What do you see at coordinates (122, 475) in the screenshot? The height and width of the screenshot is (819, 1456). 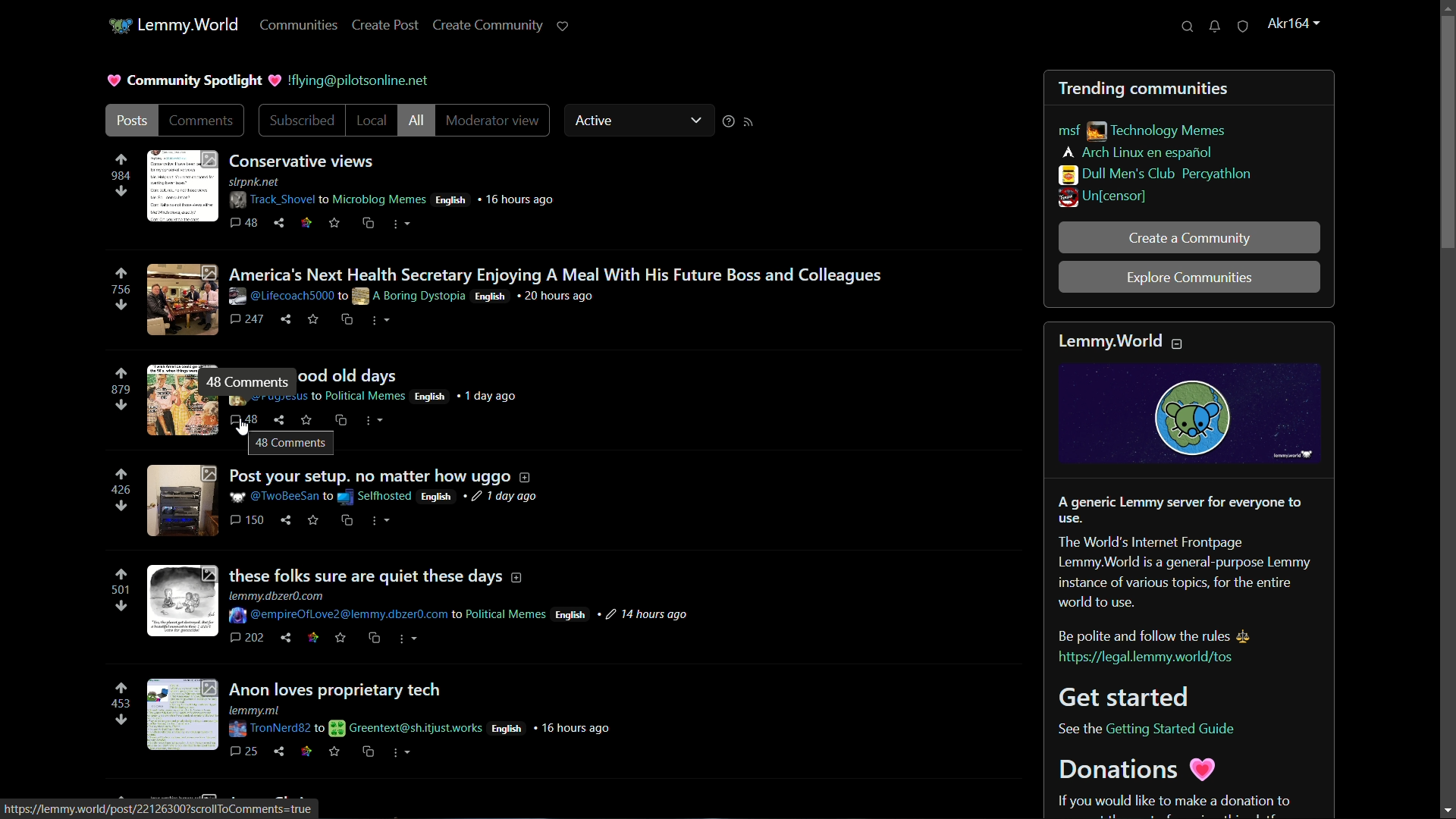 I see `upvote` at bounding box center [122, 475].